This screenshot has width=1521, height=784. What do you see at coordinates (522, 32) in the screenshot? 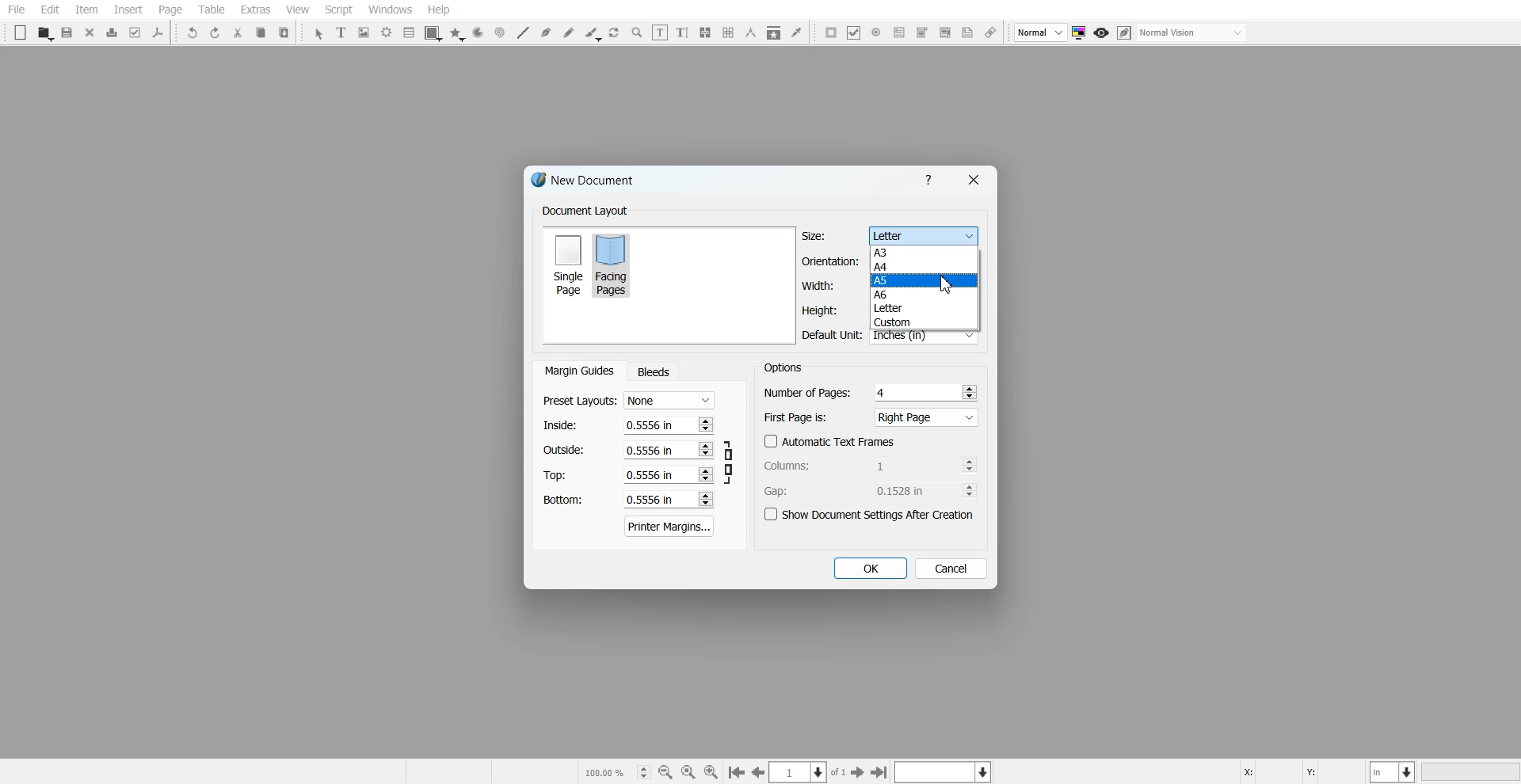
I see `Line` at bounding box center [522, 32].